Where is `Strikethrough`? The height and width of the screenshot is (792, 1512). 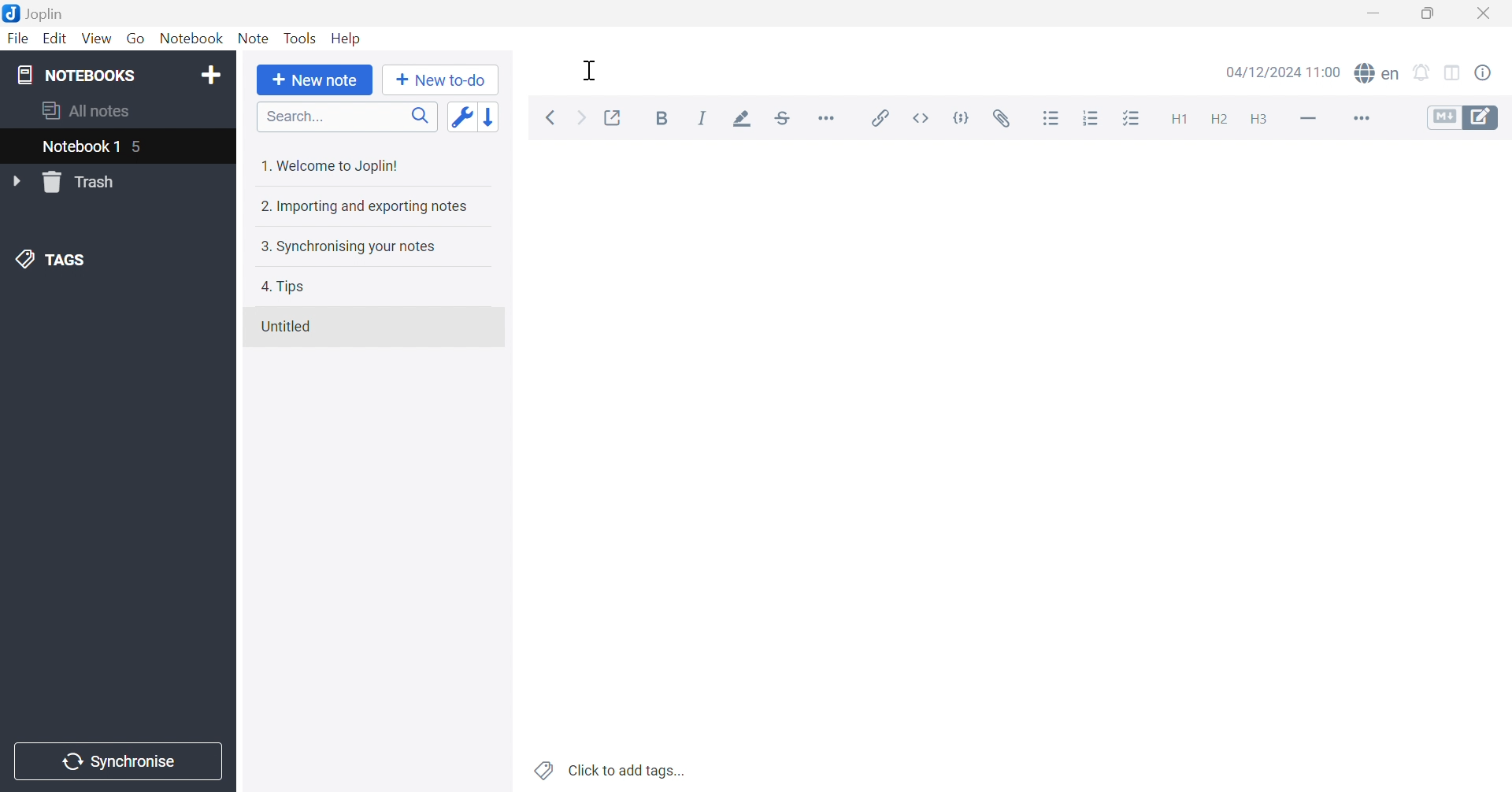 Strikethrough is located at coordinates (787, 120).